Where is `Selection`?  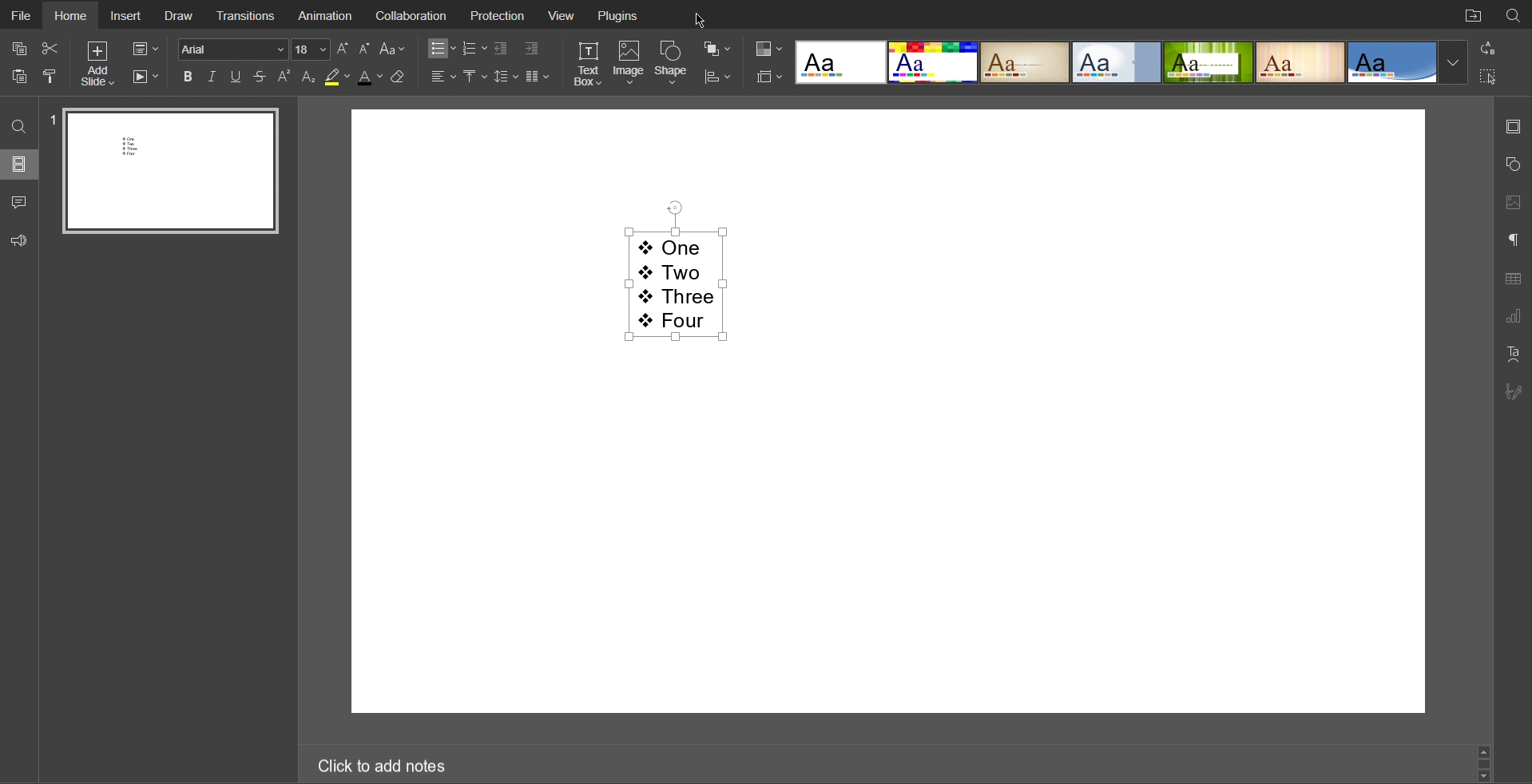 Selection is located at coordinates (1486, 75).